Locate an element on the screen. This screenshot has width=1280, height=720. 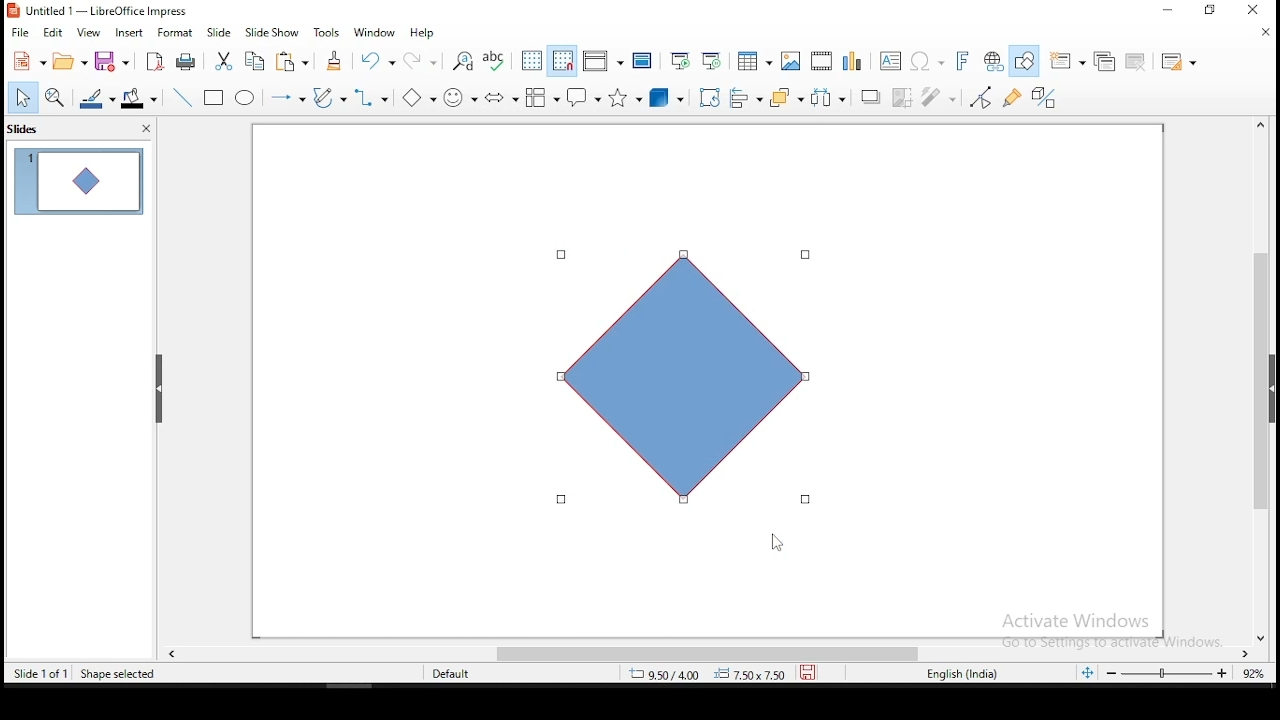
image is located at coordinates (794, 60).